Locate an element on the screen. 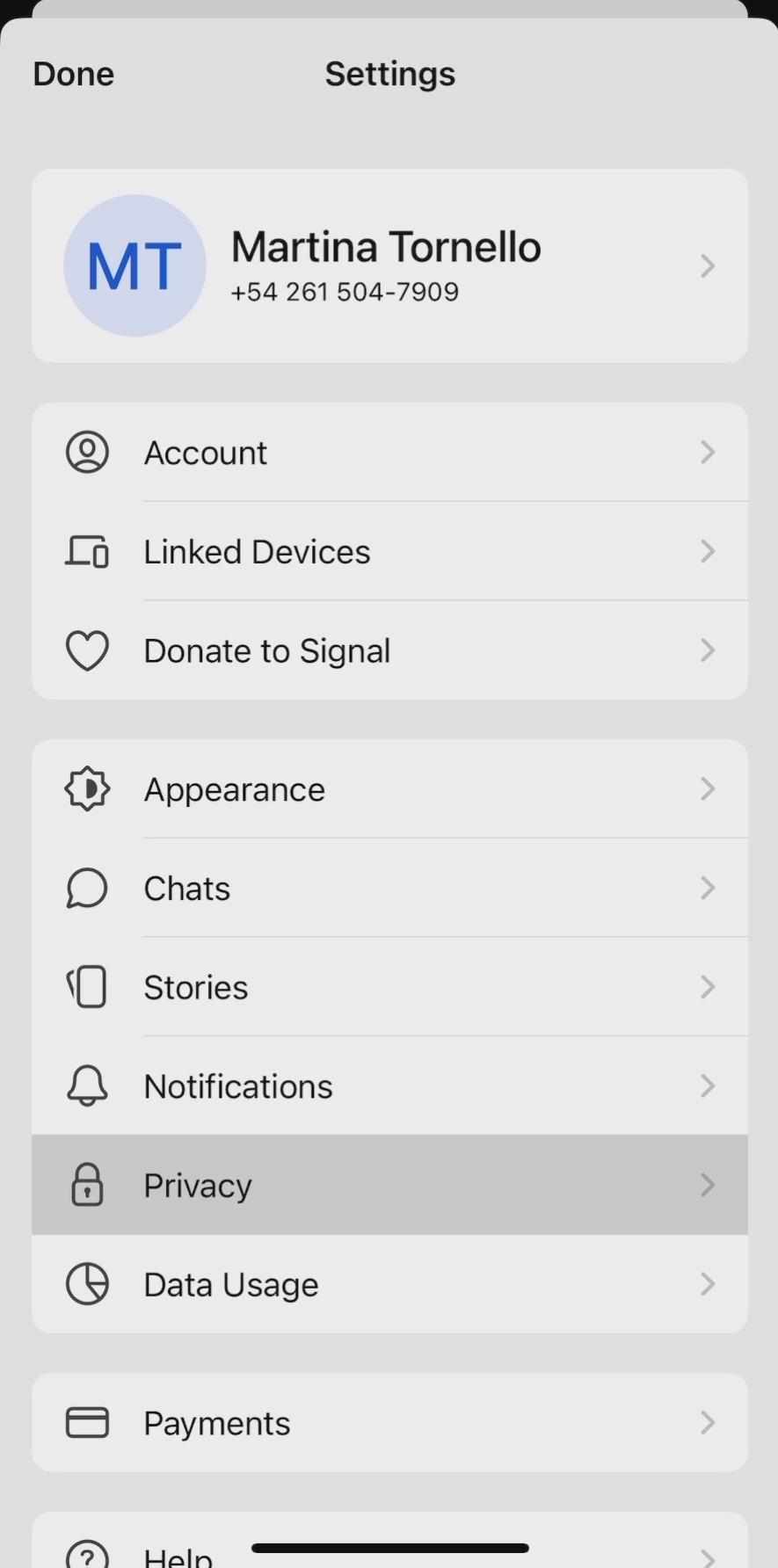 This screenshot has width=778, height=1568. chats is located at coordinates (390, 889).